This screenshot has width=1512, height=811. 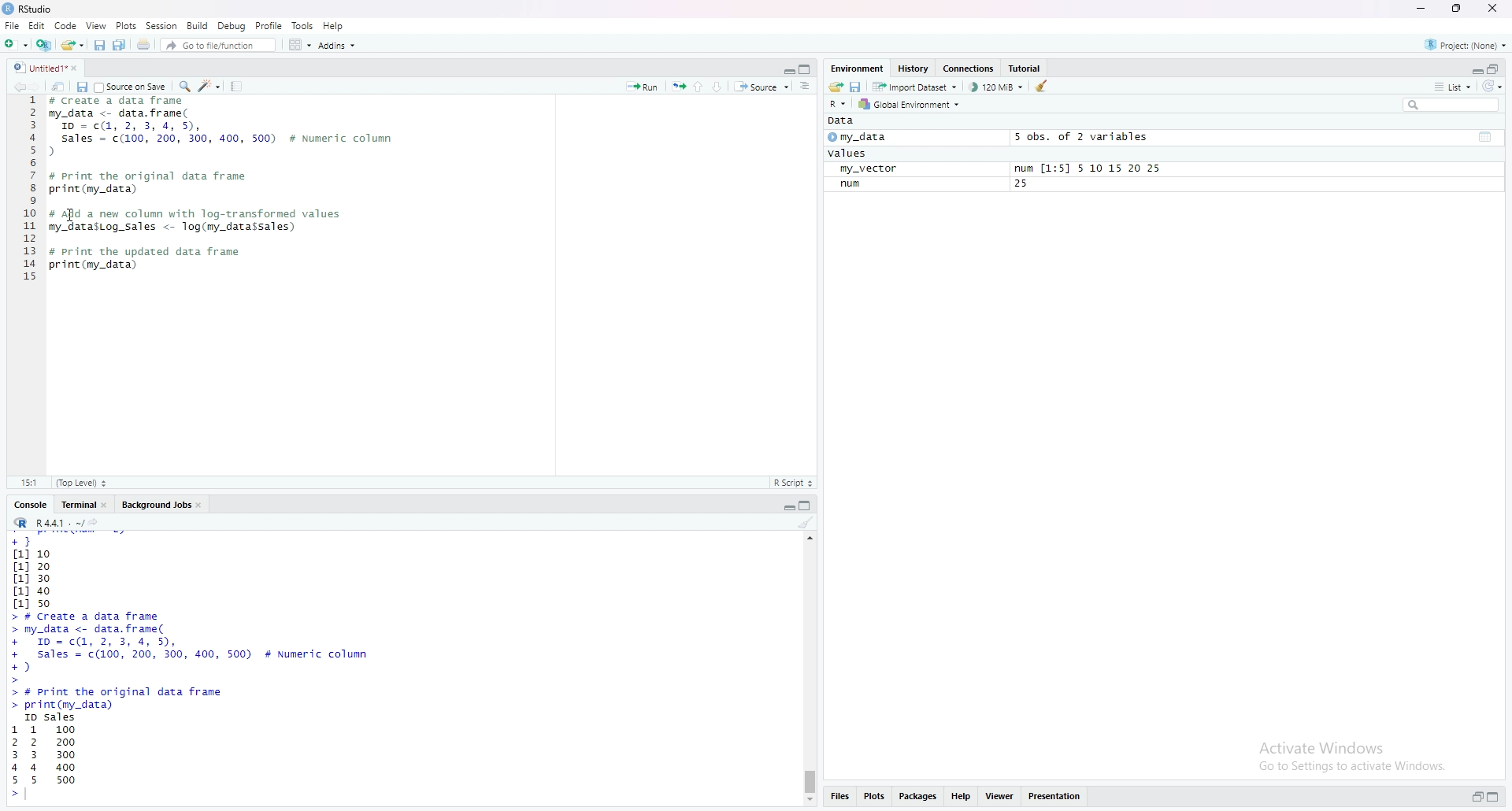 What do you see at coordinates (71, 214) in the screenshot?
I see `cursor` at bounding box center [71, 214].